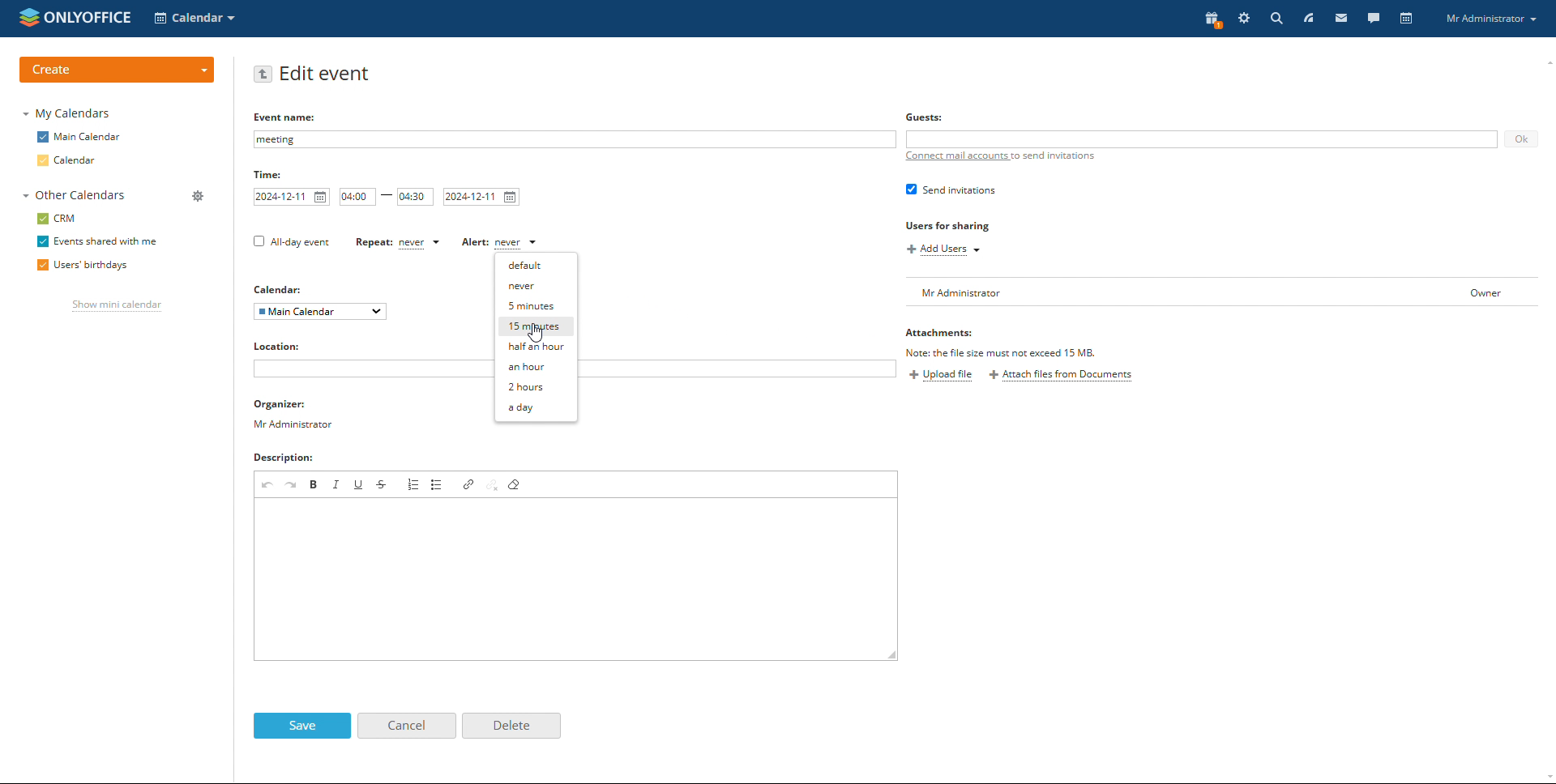 This screenshot has width=1556, height=784. Describe the element at coordinates (68, 160) in the screenshot. I see `calendar` at that location.